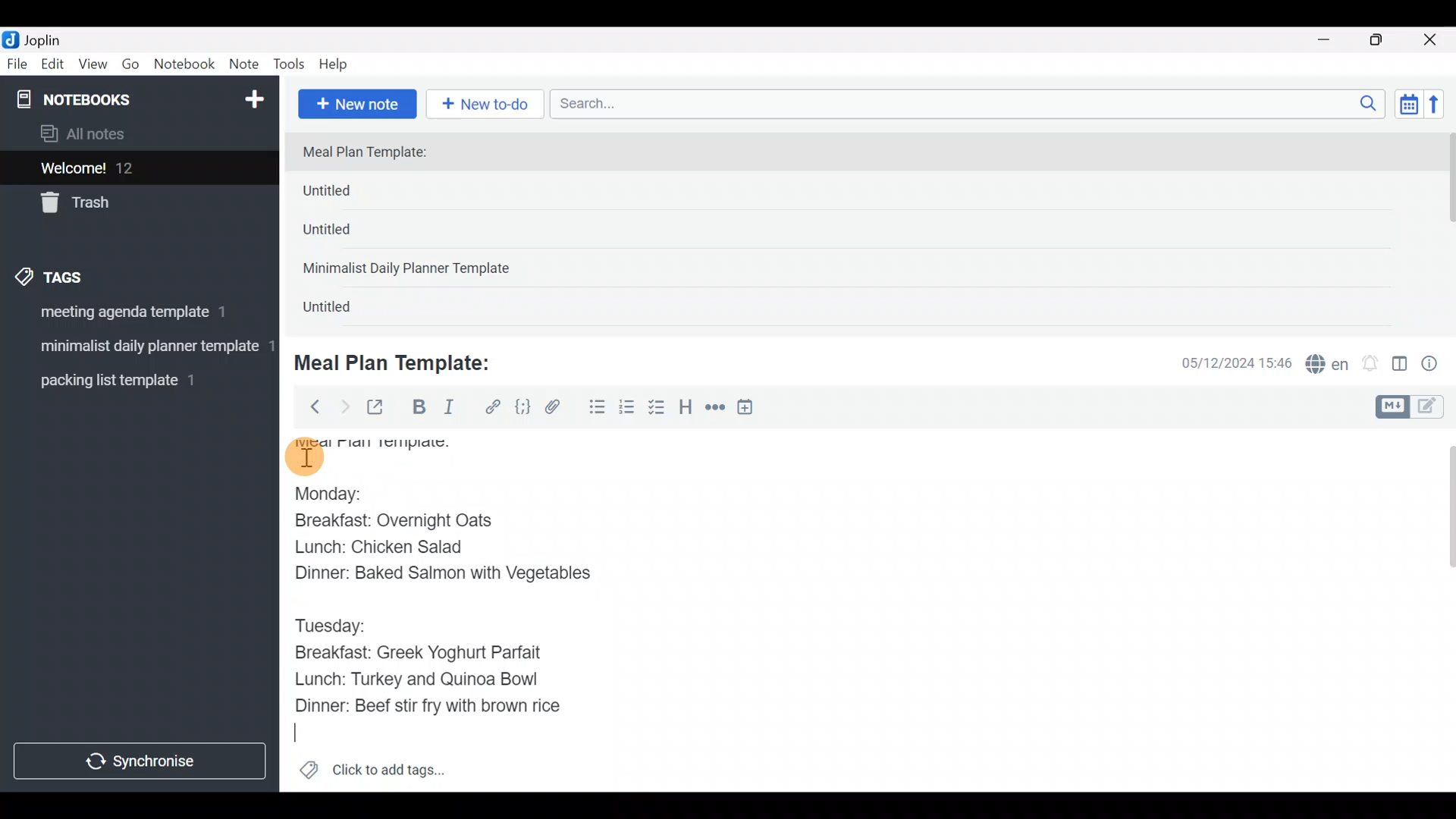 This screenshot has width=1456, height=819. I want to click on Welcome!, so click(137, 169).